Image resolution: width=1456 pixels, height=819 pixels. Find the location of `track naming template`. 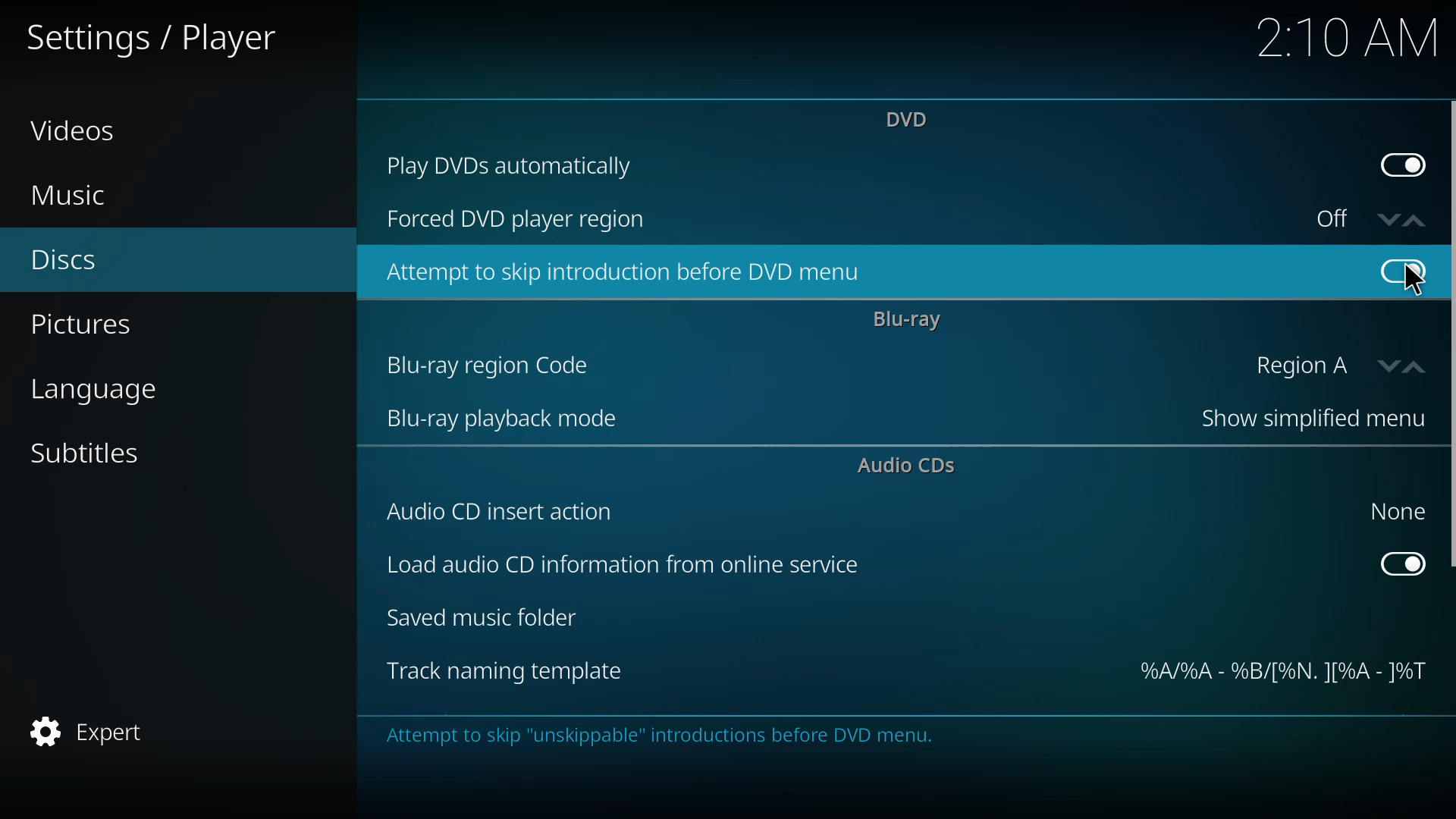

track naming template is located at coordinates (507, 669).